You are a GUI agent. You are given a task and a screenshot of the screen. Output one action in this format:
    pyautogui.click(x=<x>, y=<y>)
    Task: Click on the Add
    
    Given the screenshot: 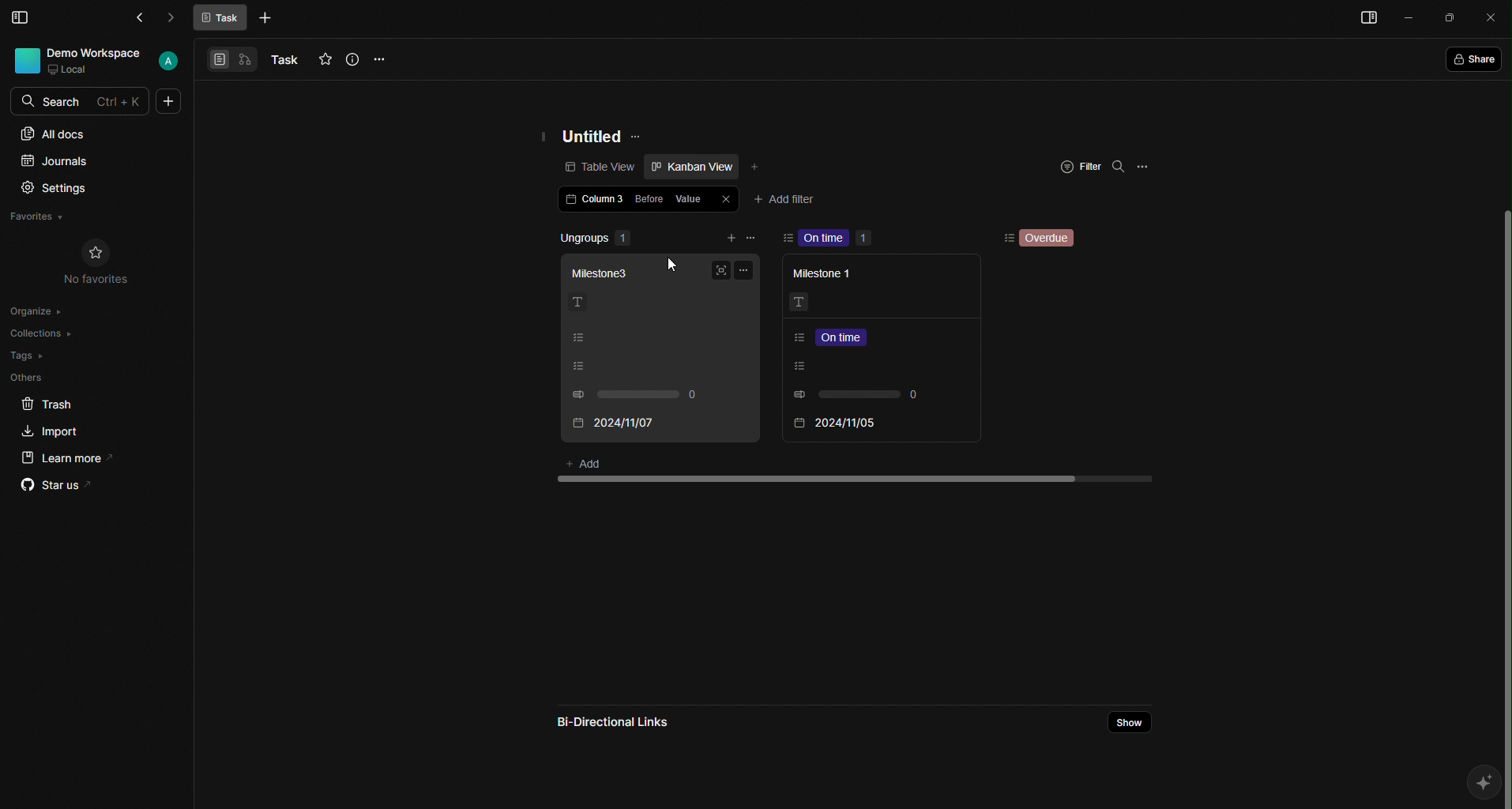 What is the action you would take?
    pyautogui.click(x=593, y=463)
    